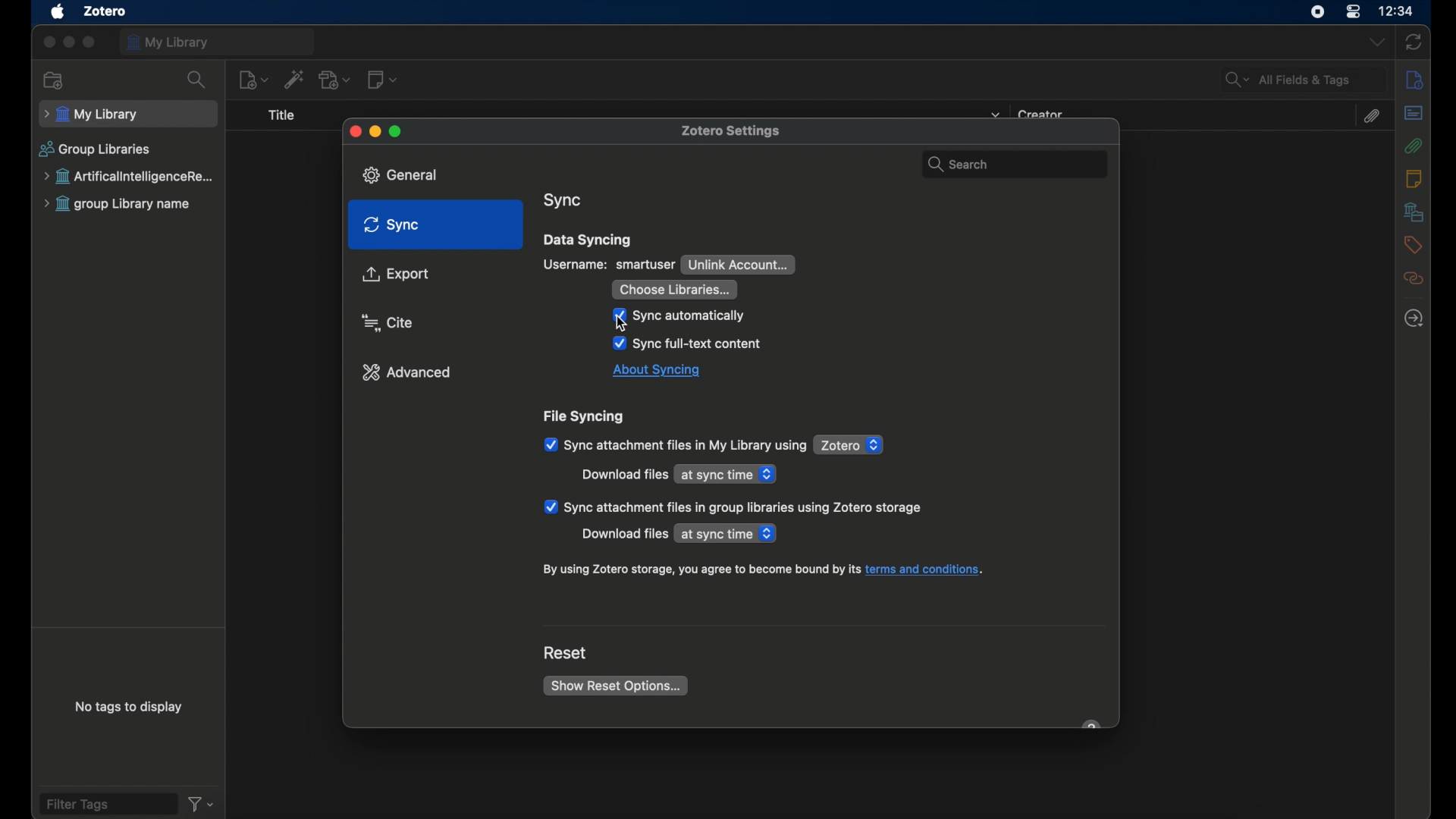 This screenshot has height=819, width=1456. I want to click on advanced, so click(407, 372).